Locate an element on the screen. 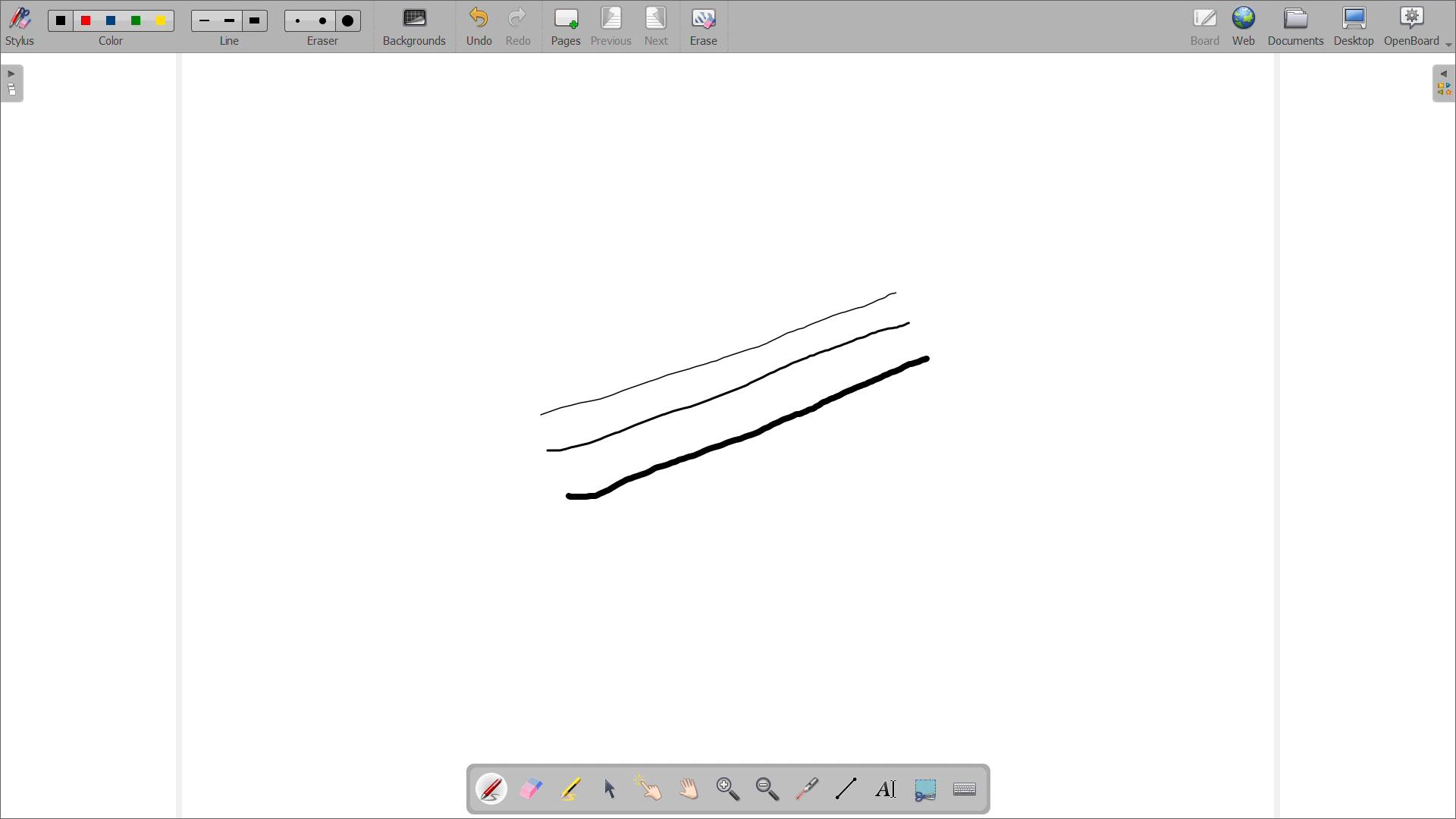  board is located at coordinates (1204, 27).